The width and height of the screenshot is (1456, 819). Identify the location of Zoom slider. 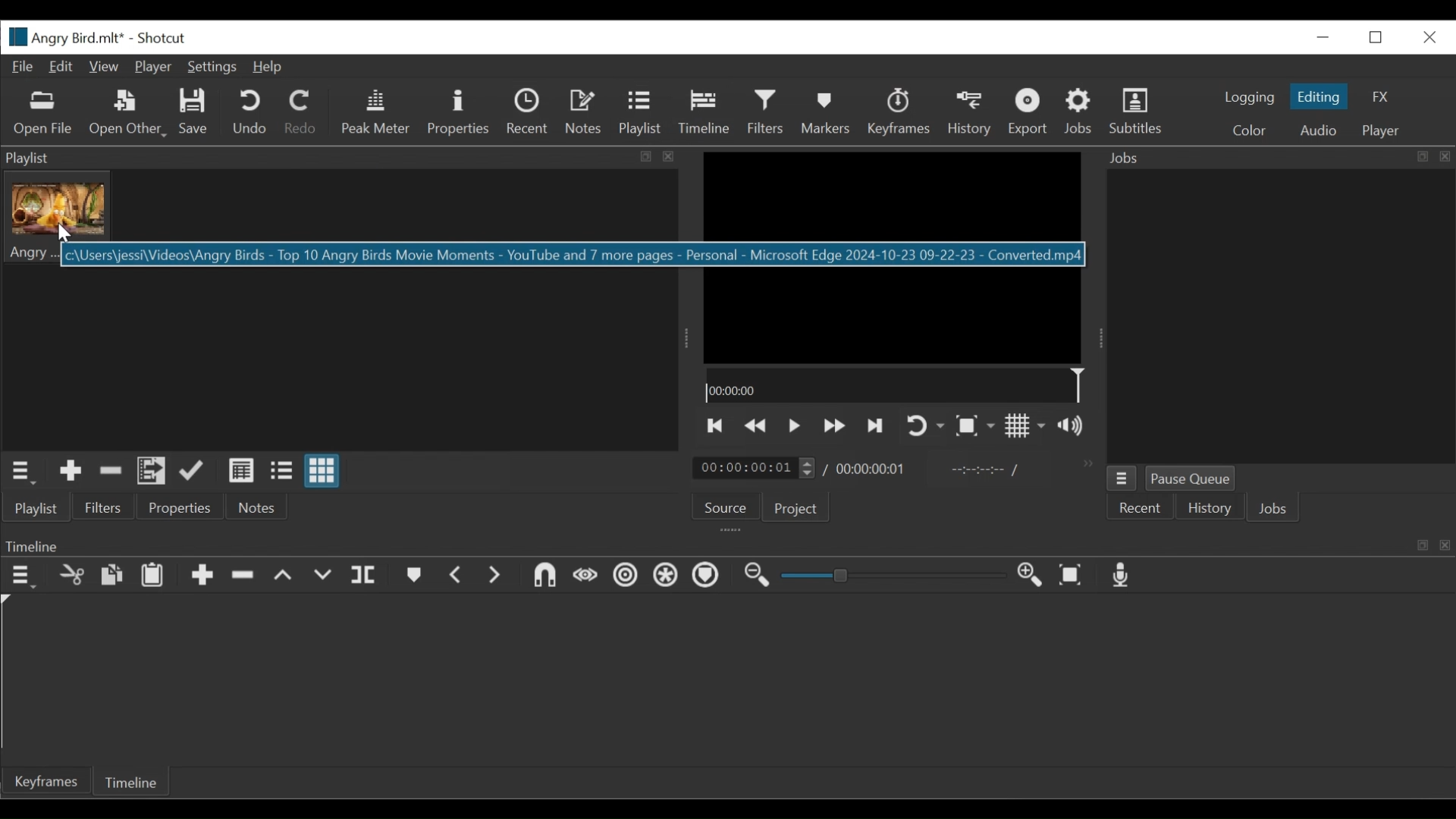
(898, 575).